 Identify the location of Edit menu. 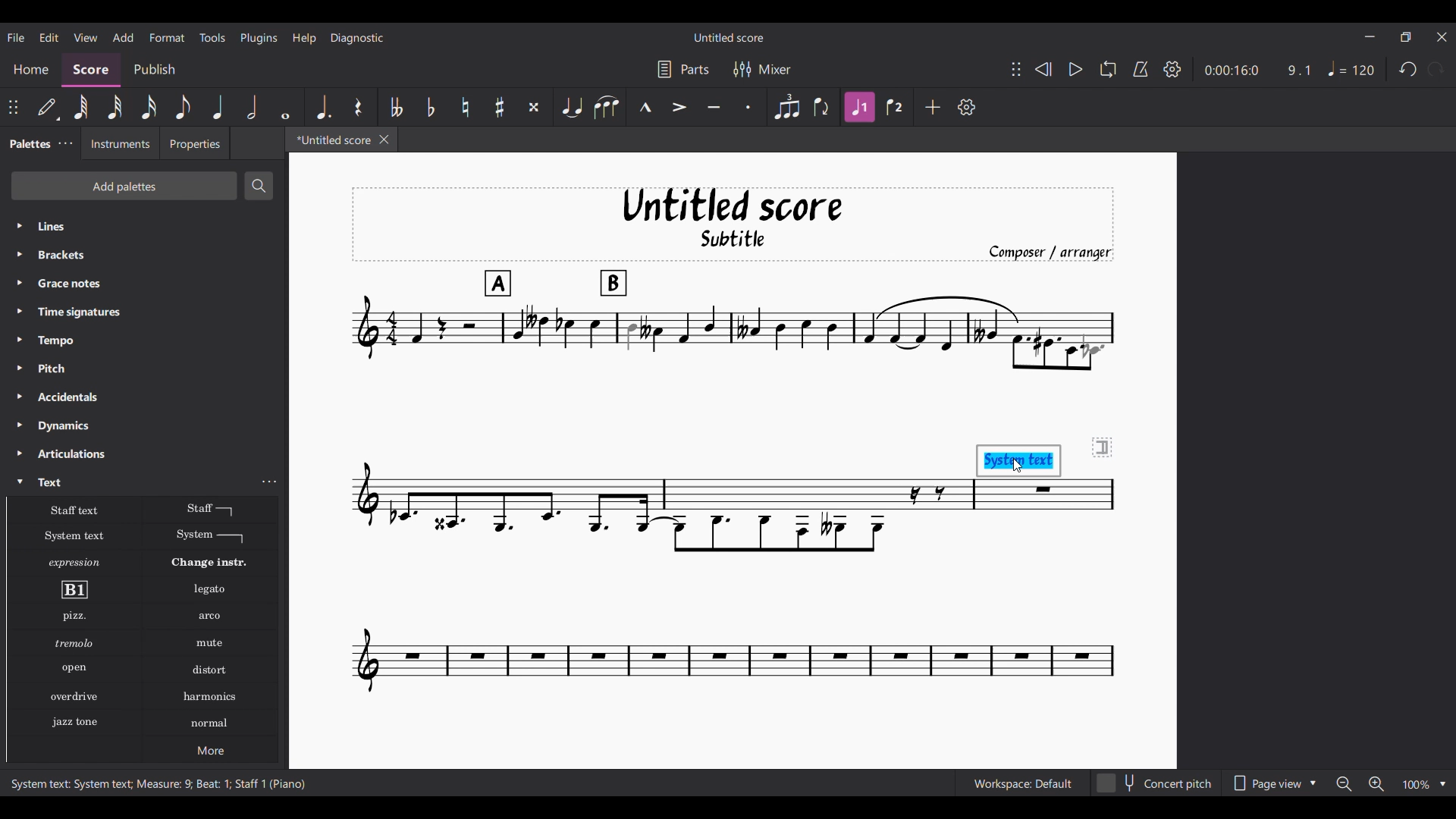
(49, 38).